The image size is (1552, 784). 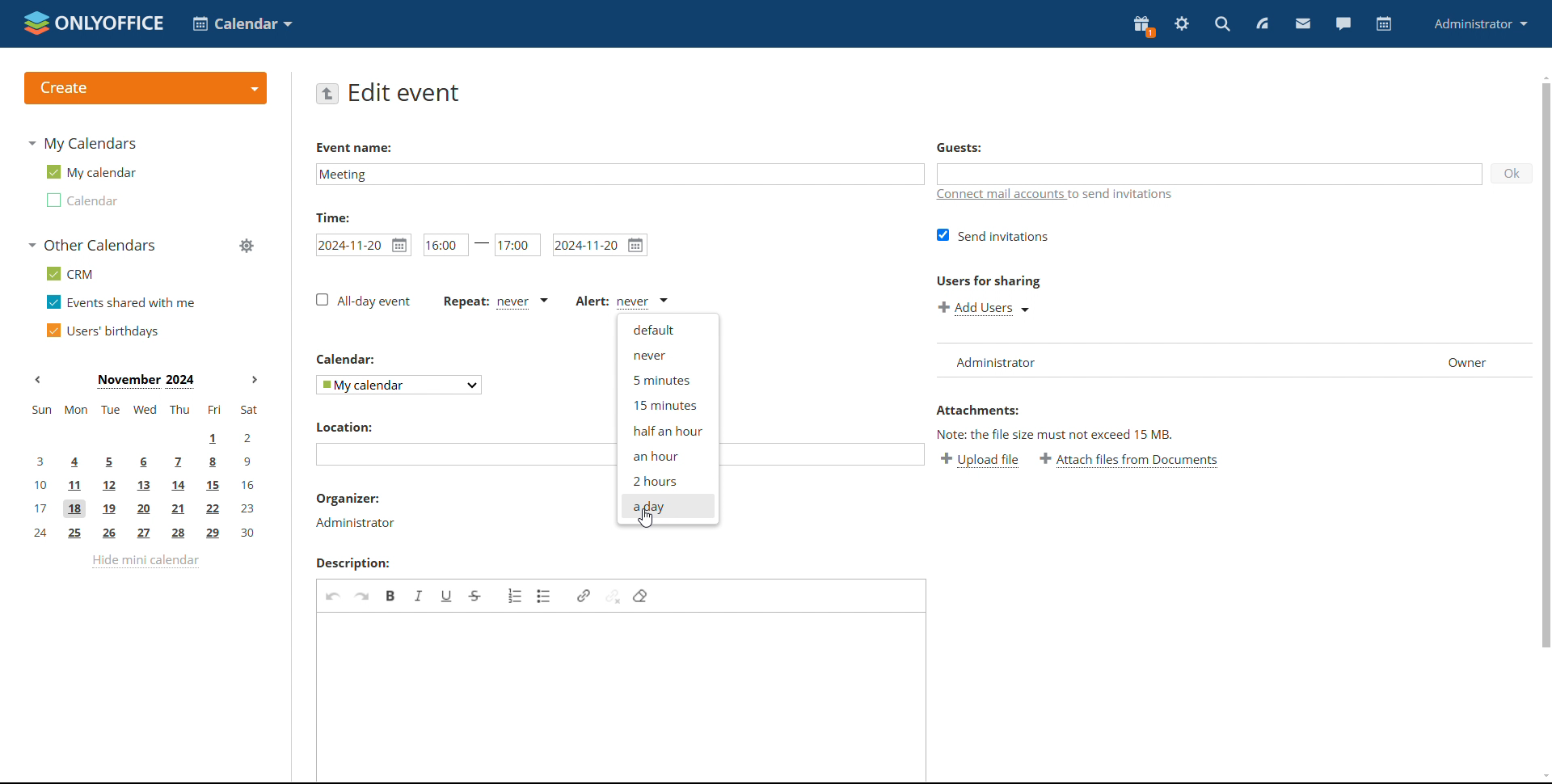 I want to click on add event name, so click(x=619, y=174).